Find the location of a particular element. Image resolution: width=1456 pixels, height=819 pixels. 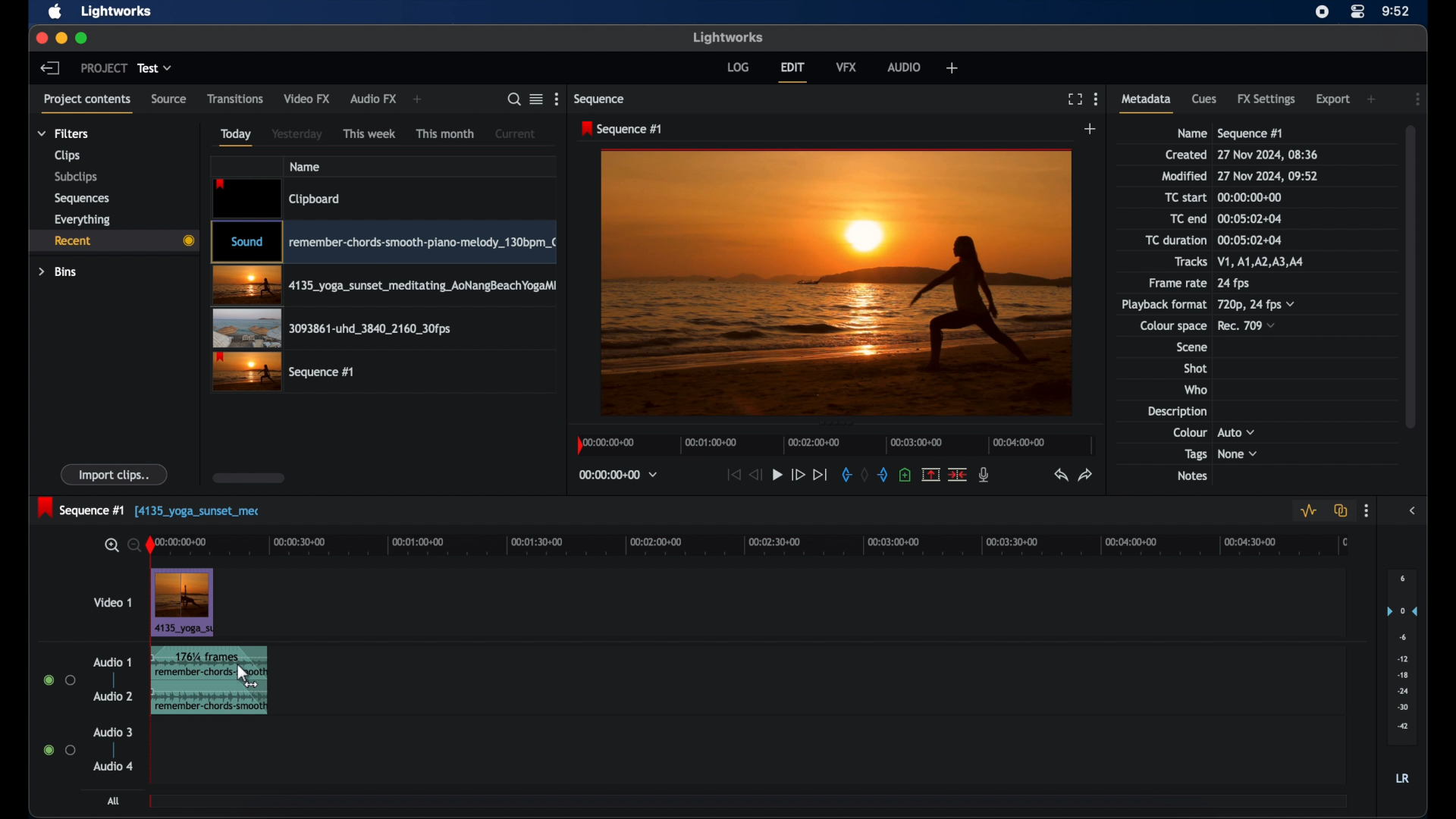

more options is located at coordinates (1418, 99).